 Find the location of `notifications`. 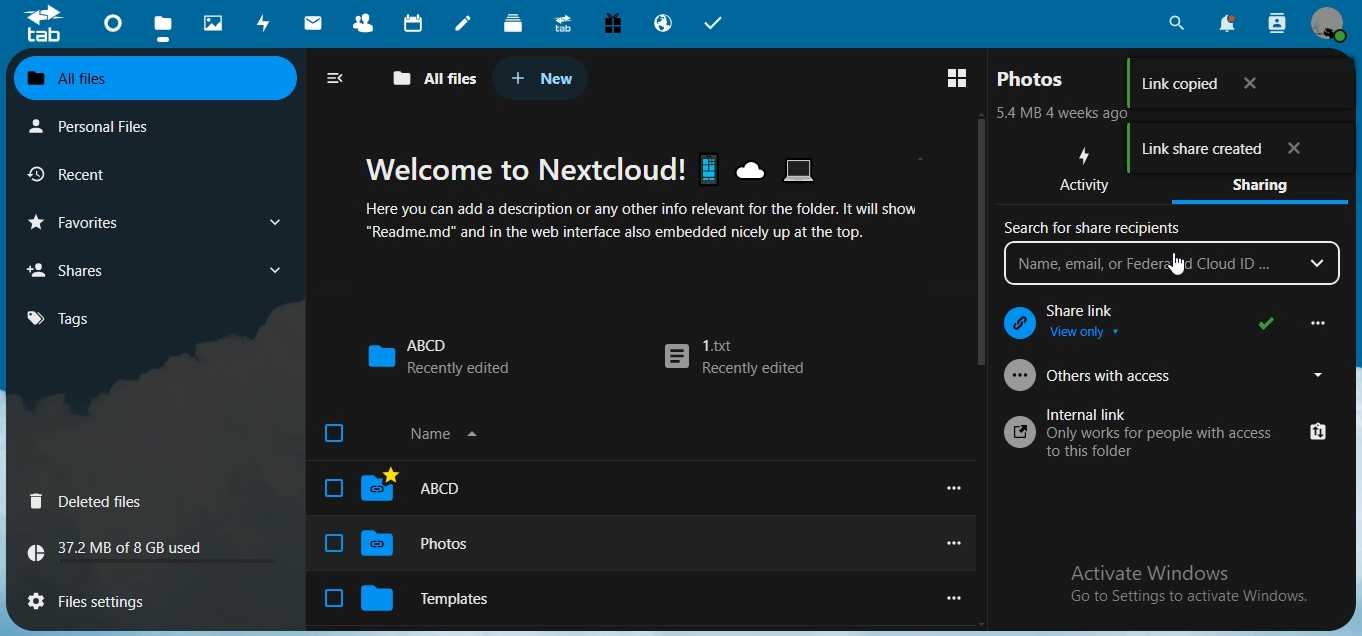

notifications is located at coordinates (1225, 23).